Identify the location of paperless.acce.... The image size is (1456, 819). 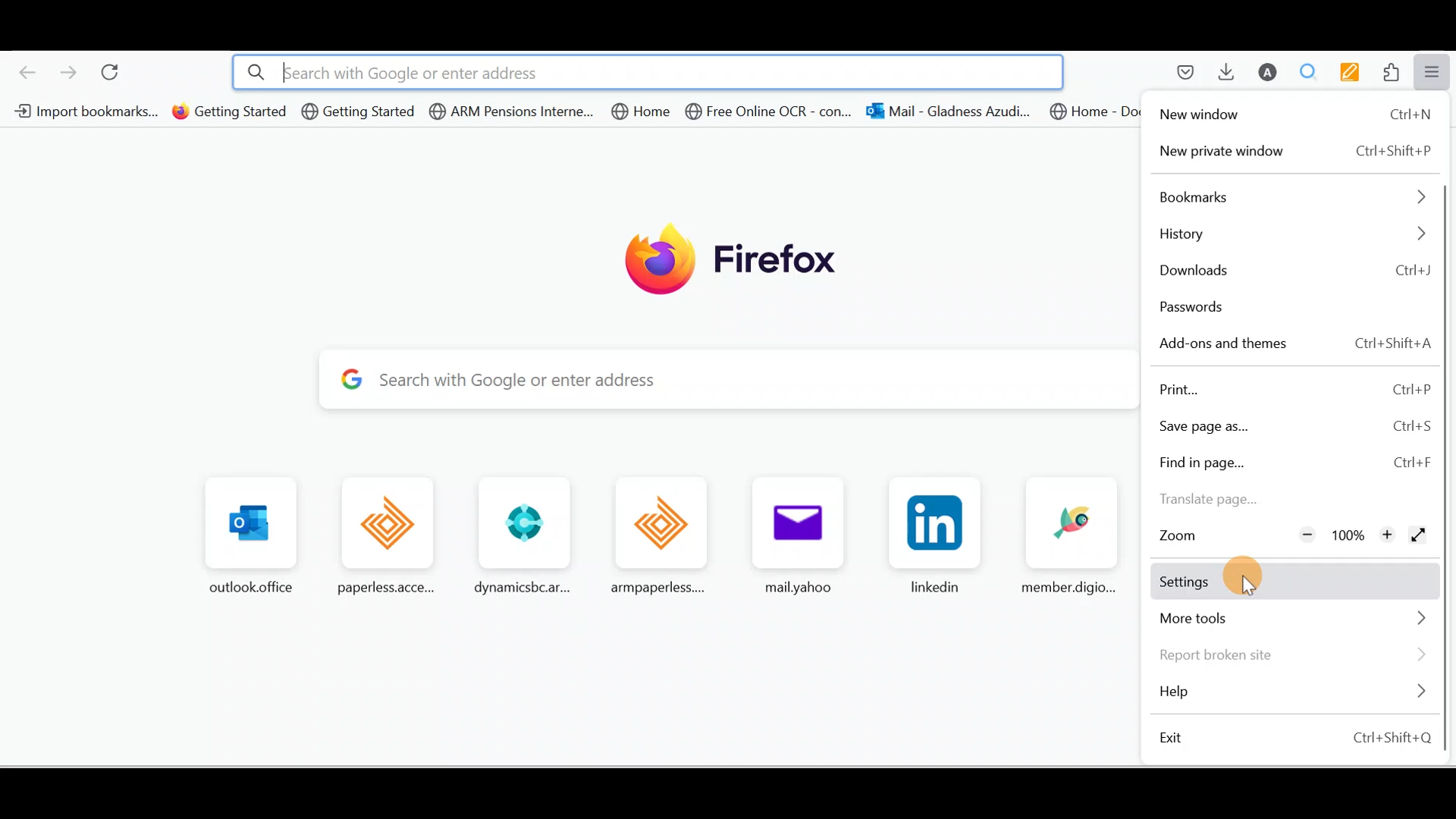
(379, 536).